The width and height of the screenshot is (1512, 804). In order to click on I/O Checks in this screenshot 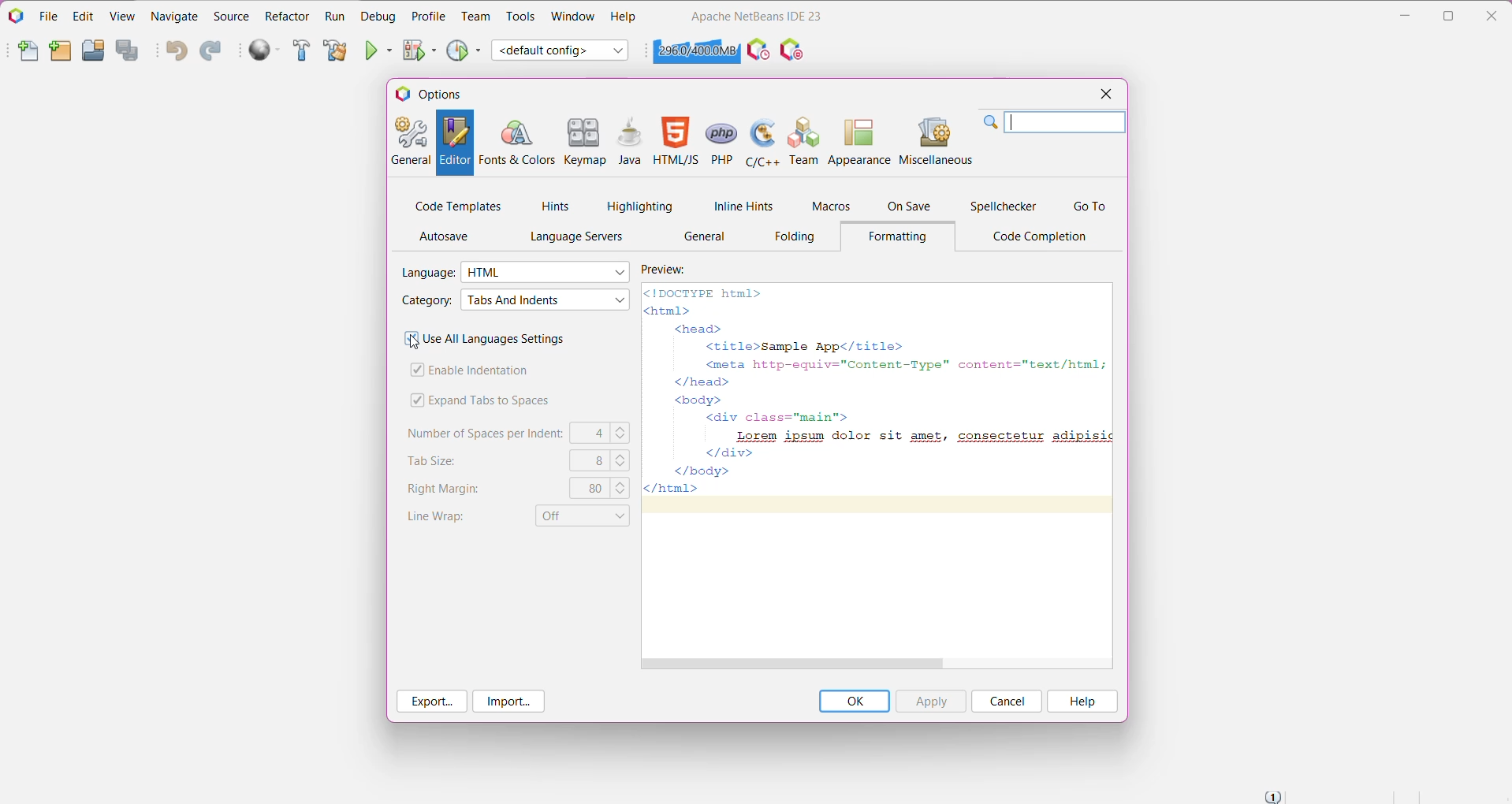, I will do `click(794, 49)`.